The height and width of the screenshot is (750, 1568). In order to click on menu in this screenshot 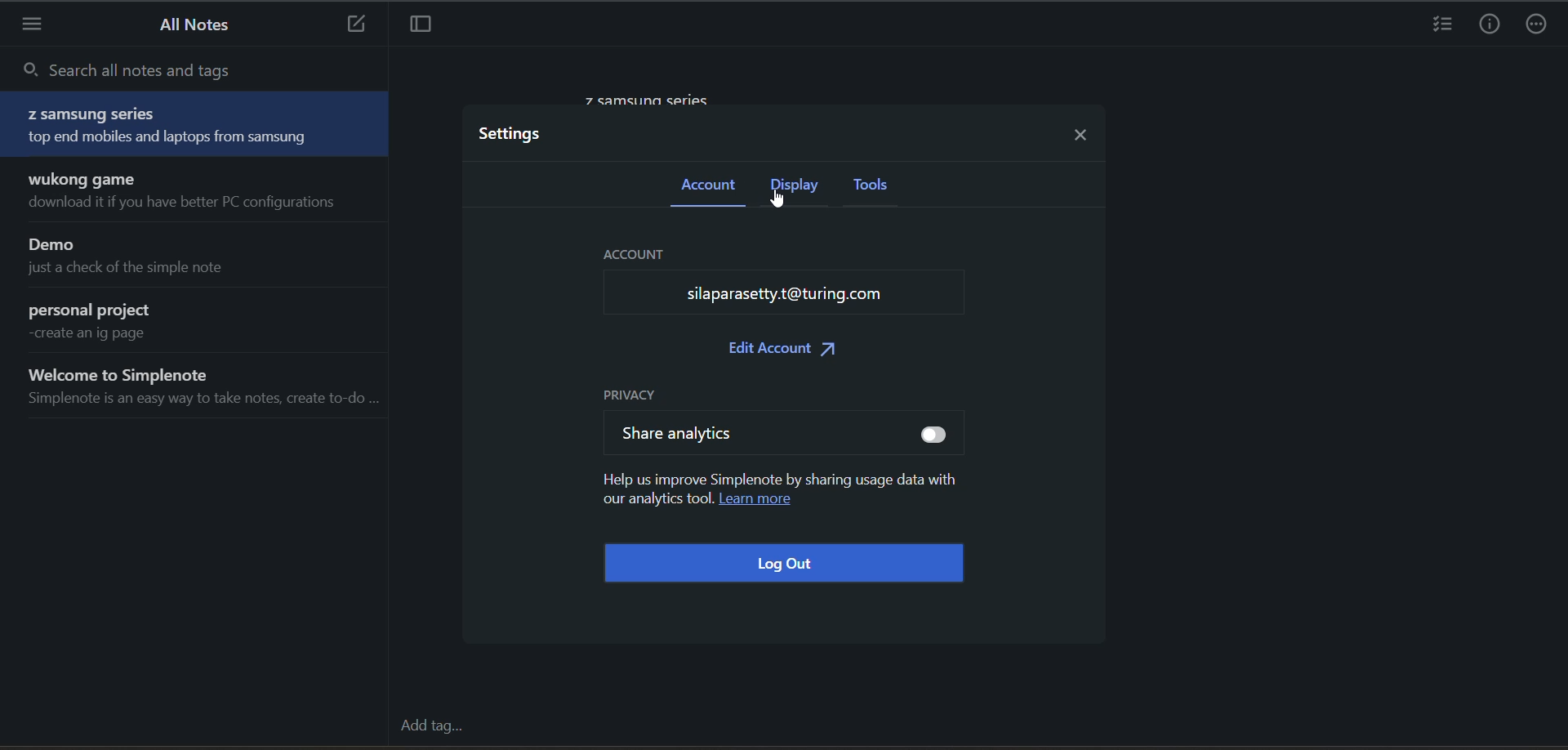, I will do `click(34, 28)`.